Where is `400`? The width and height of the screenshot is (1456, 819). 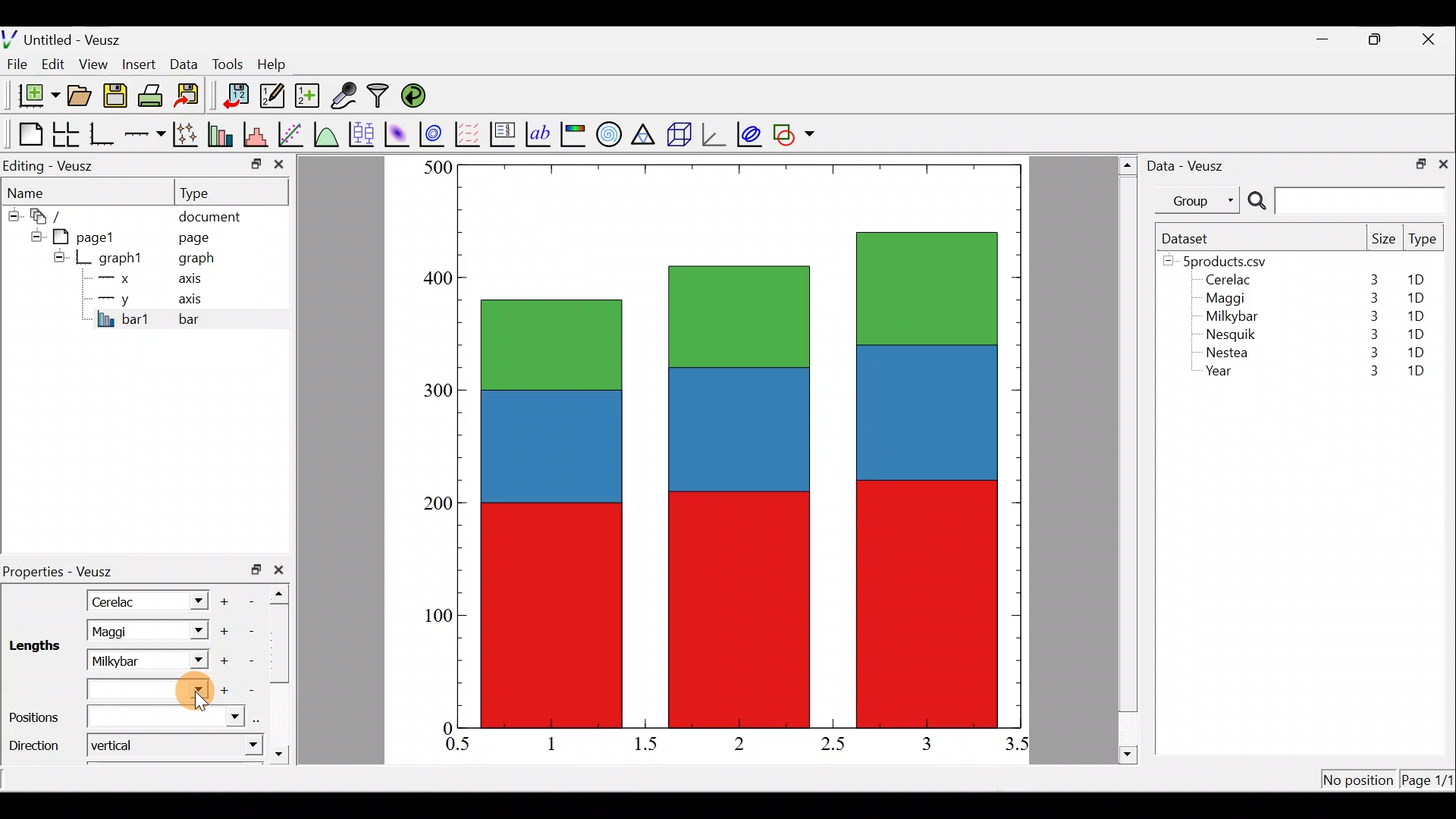 400 is located at coordinates (432, 279).